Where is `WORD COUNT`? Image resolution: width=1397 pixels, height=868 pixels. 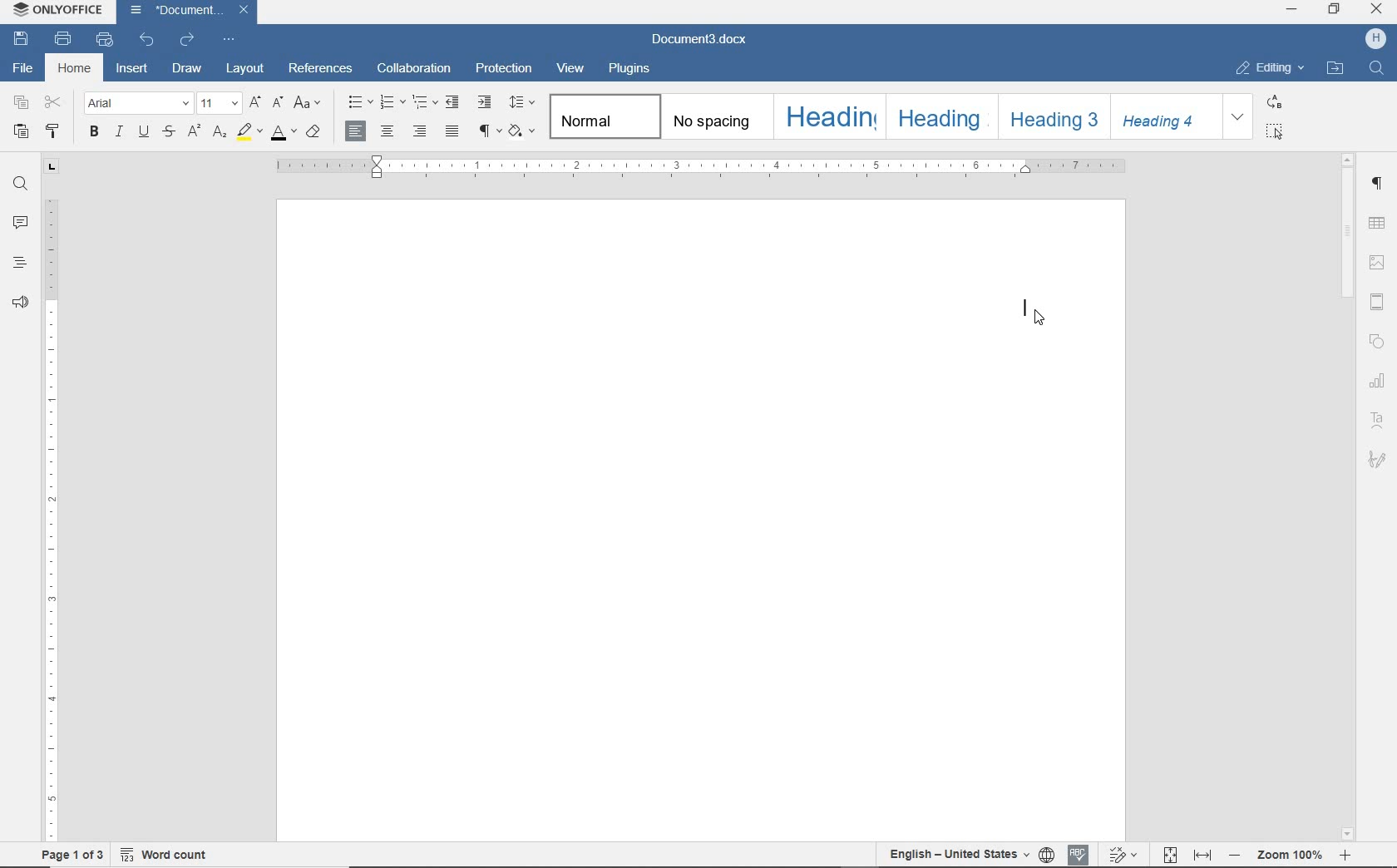
WORD COUNT is located at coordinates (165, 855).